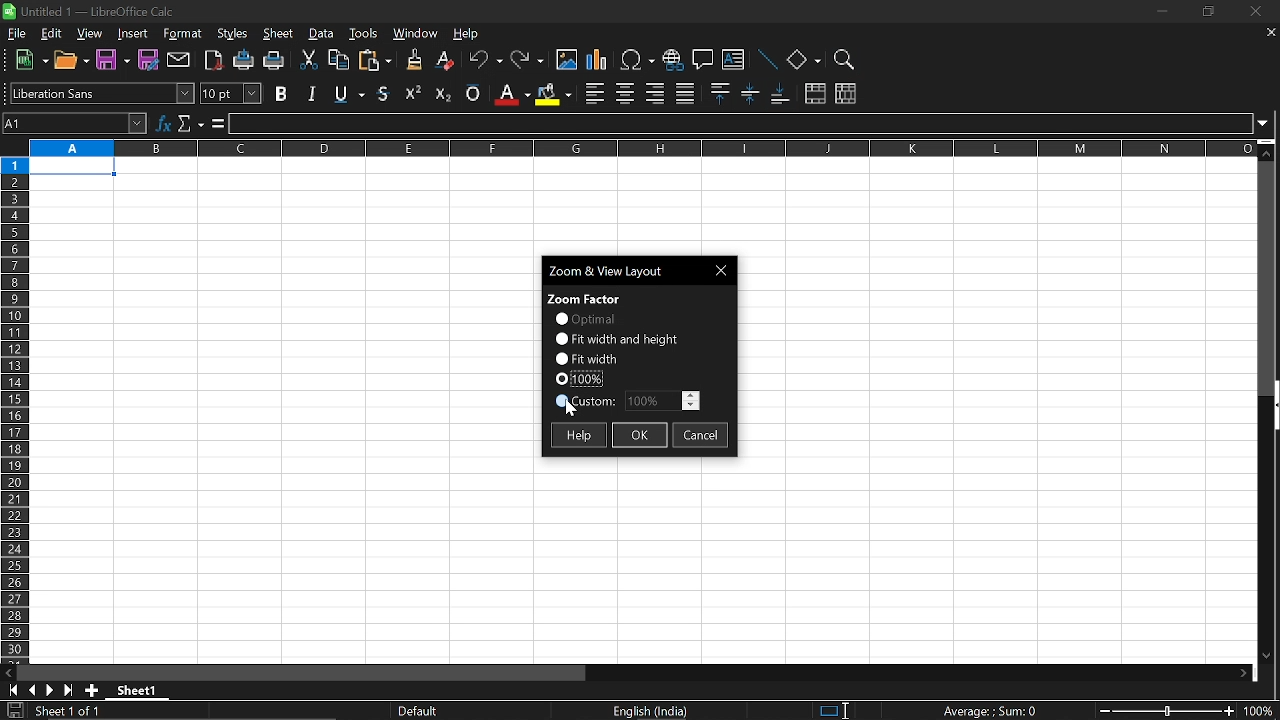 This screenshot has width=1280, height=720. Describe the element at coordinates (528, 61) in the screenshot. I see `redo` at that location.